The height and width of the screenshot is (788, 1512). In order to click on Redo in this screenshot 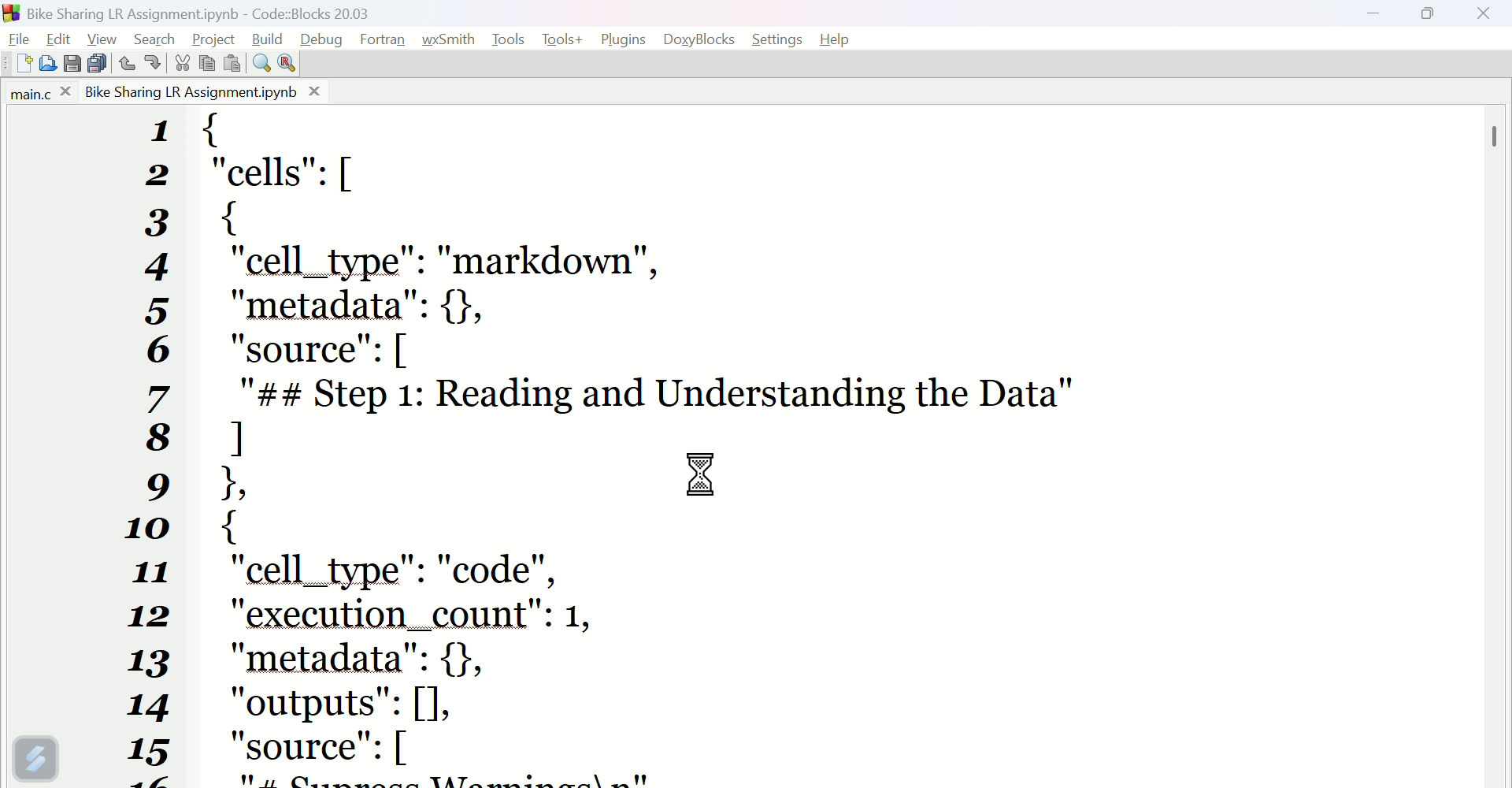, I will do `click(150, 65)`.